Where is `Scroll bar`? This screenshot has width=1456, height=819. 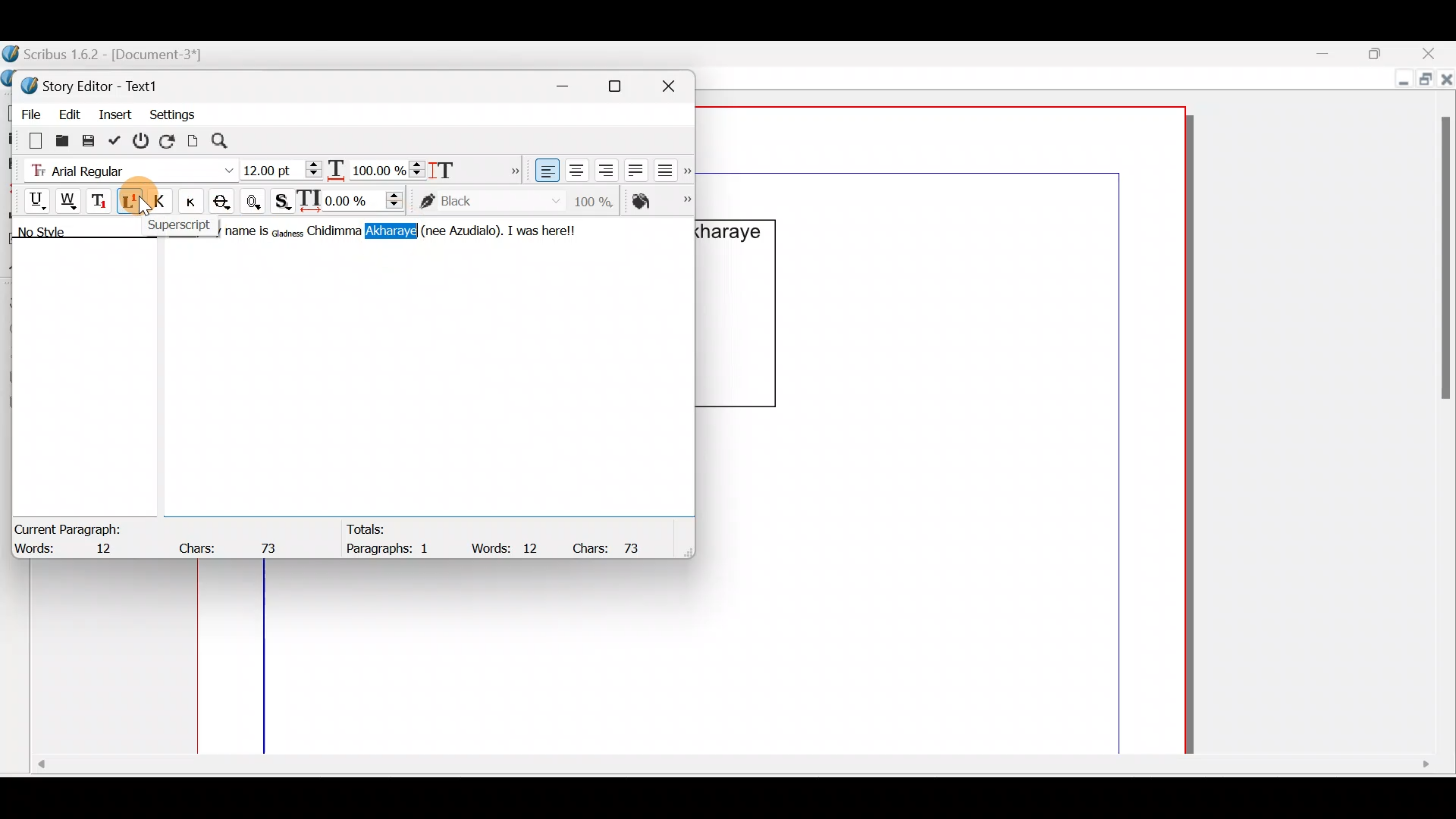 Scroll bar is located at coordinates (1440, 414).